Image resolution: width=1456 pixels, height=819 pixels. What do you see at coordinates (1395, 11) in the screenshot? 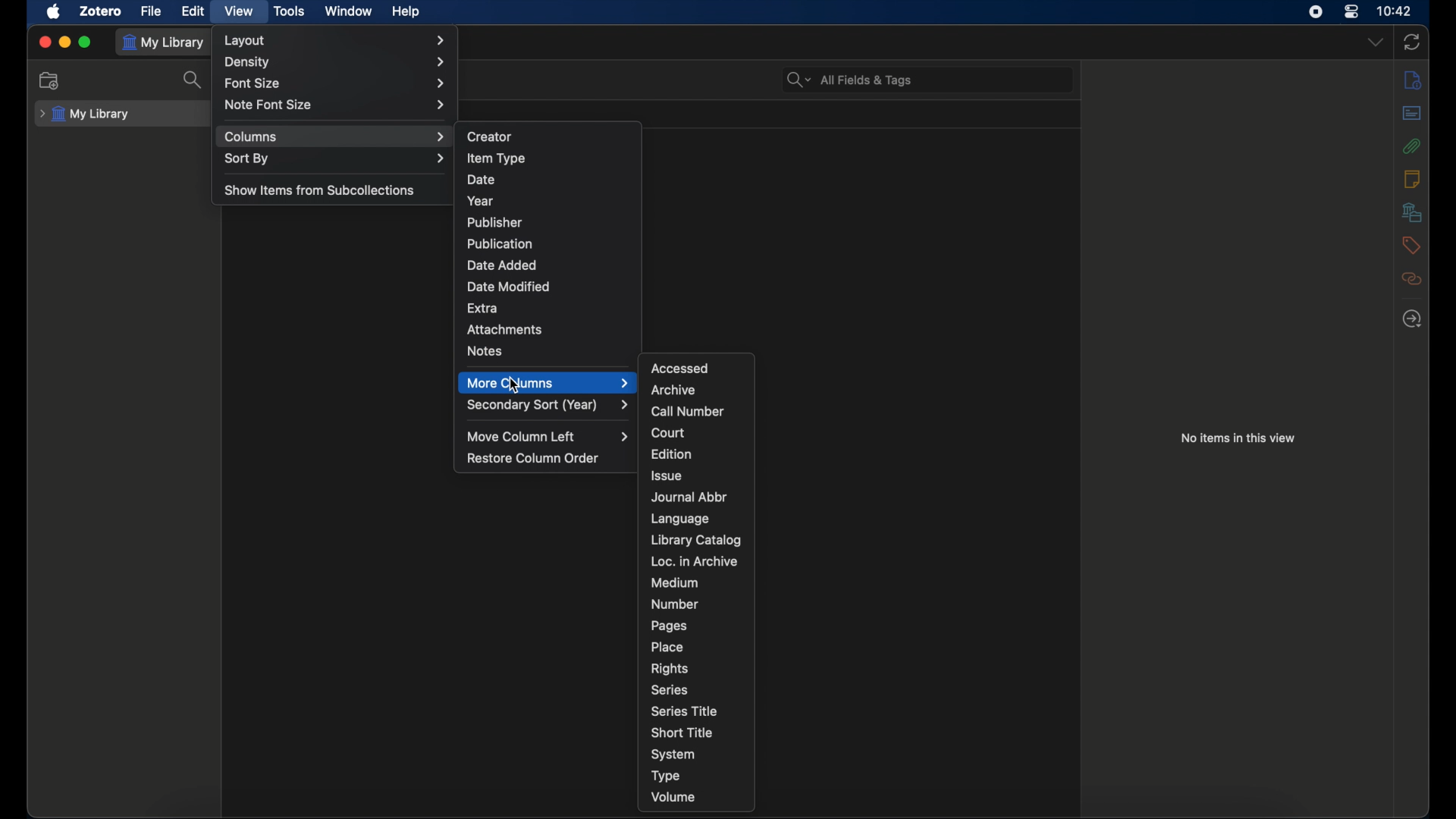
I see `time` at bounding box center [1395, 11].